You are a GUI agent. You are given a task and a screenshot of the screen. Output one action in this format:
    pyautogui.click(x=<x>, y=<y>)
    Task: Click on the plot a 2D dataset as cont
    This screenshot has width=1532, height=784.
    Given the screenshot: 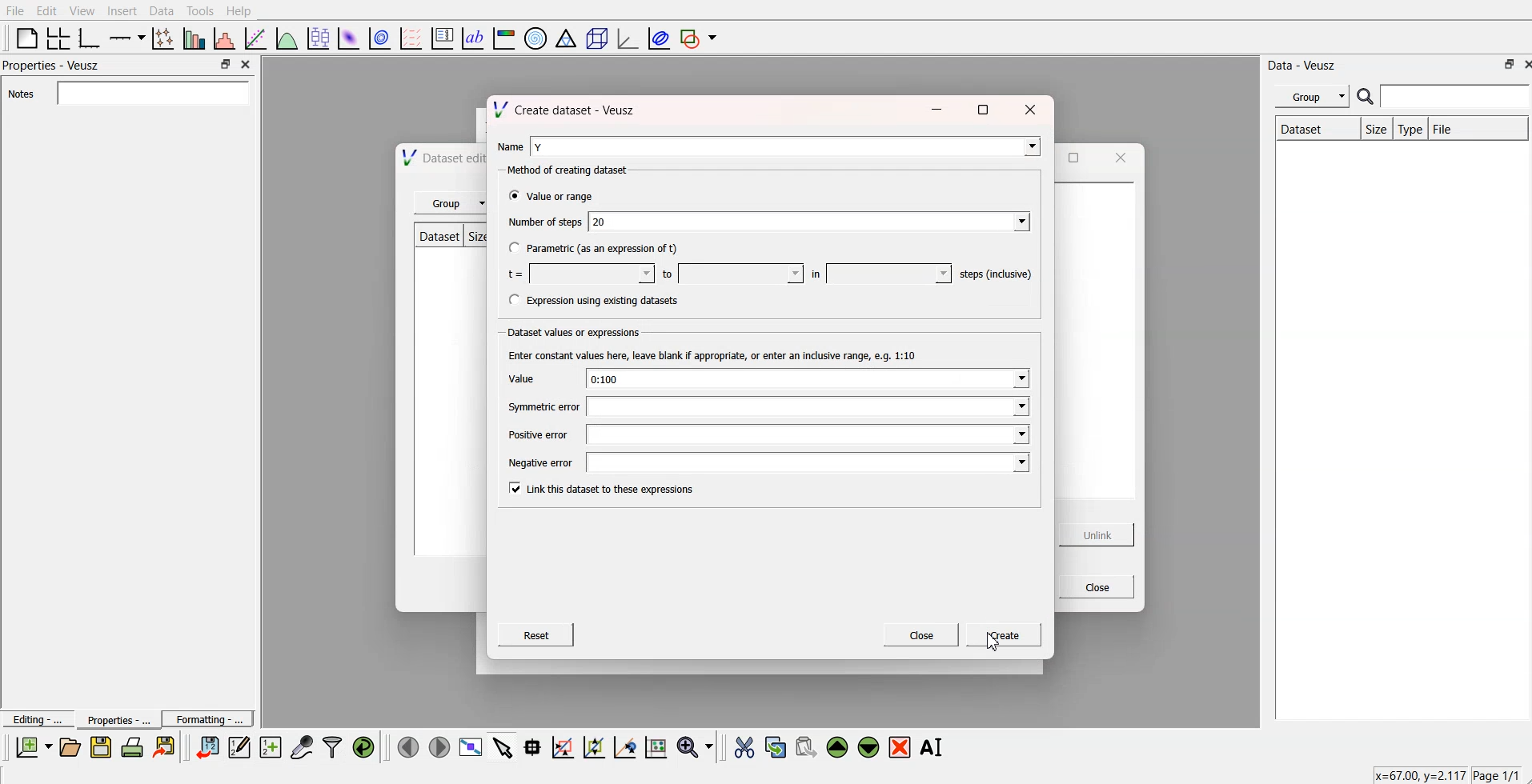 What is the action you would take?
    pyautogui.click(x=381, y=38)
    